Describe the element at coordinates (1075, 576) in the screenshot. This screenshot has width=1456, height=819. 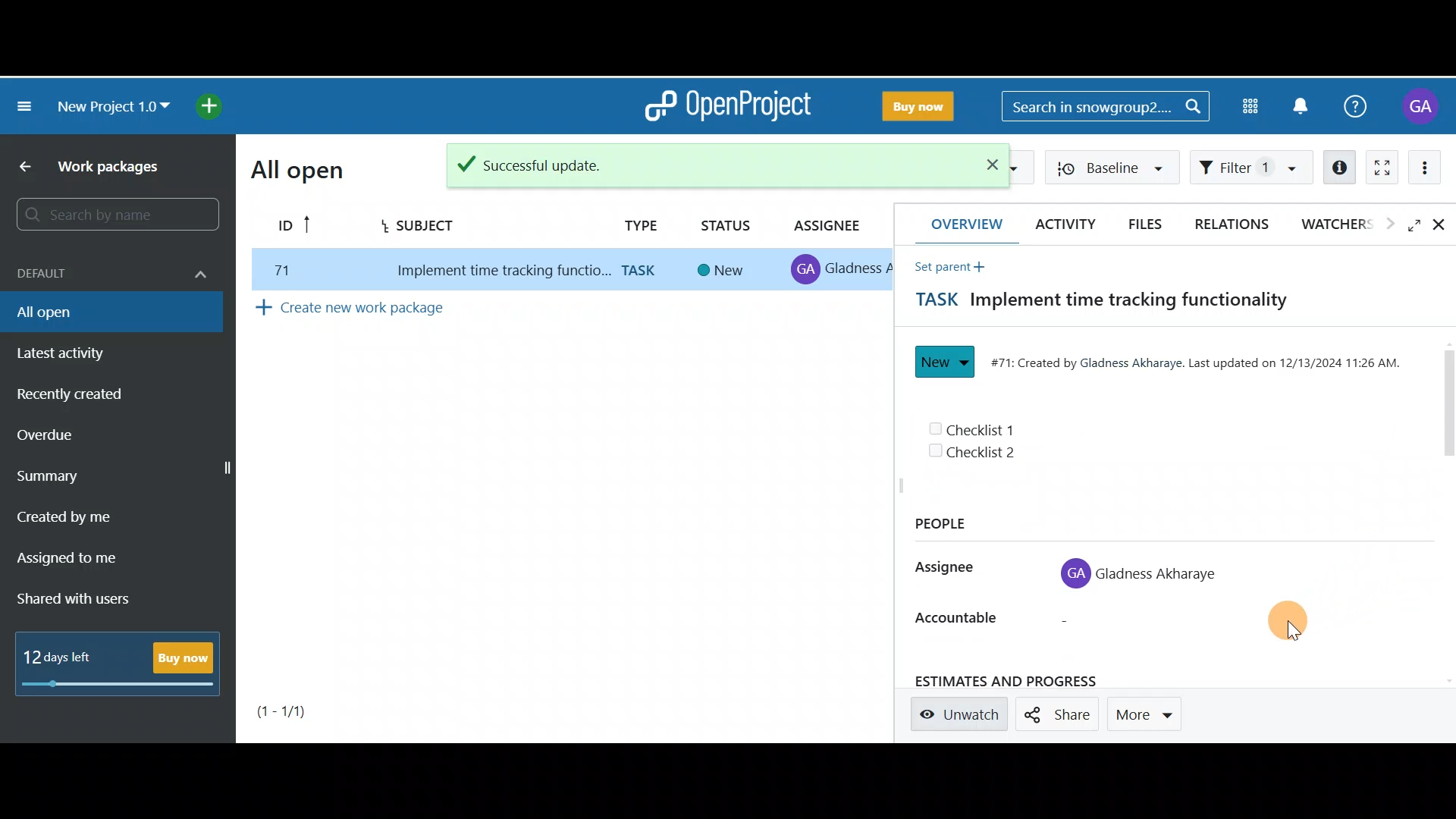
I see `profile icon` at that location.